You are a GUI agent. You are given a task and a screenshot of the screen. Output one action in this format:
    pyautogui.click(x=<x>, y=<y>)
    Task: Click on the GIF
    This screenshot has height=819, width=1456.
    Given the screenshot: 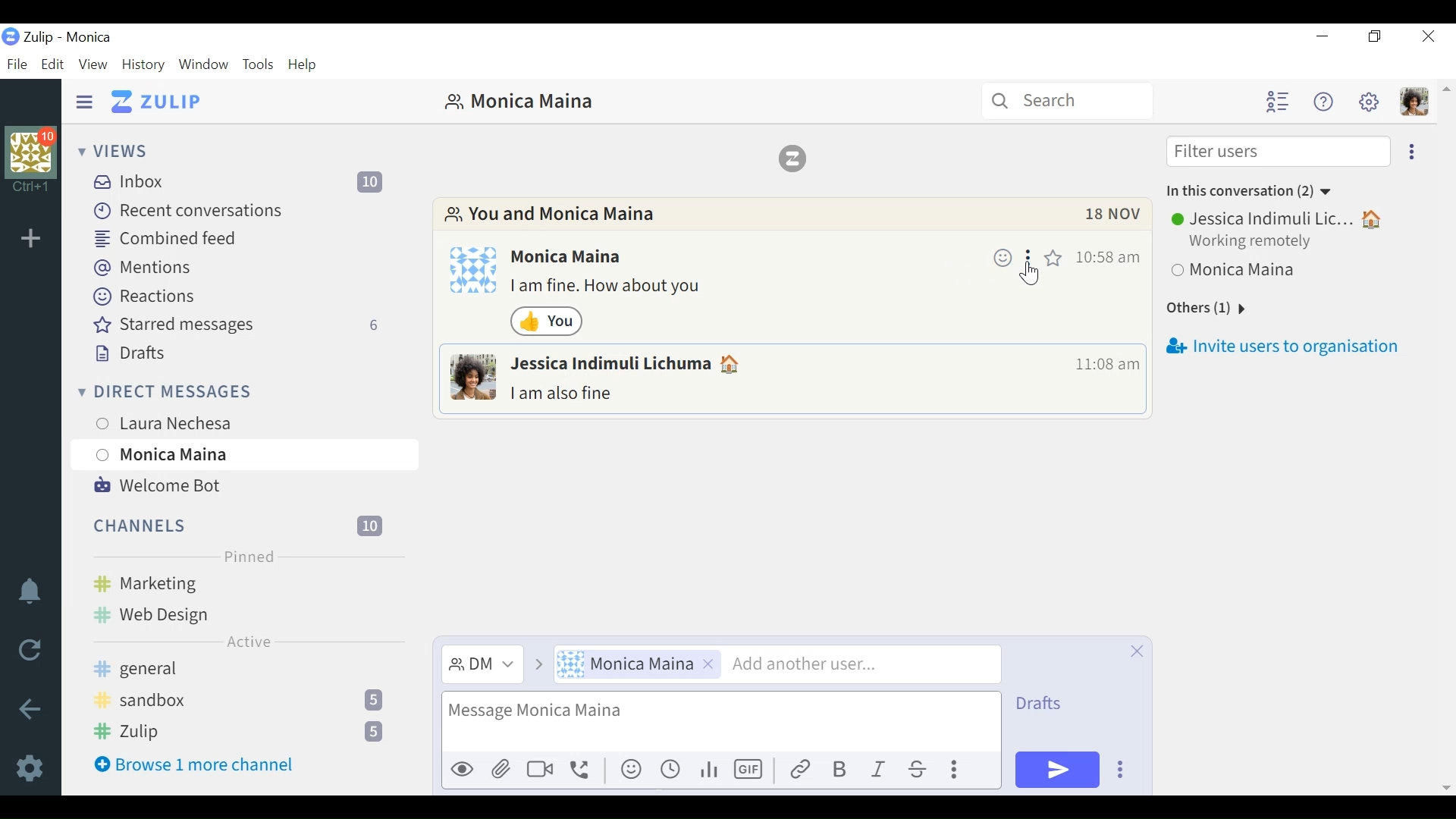 What is the action you would take?
    pyautogui.click(x=750, y=769)
    